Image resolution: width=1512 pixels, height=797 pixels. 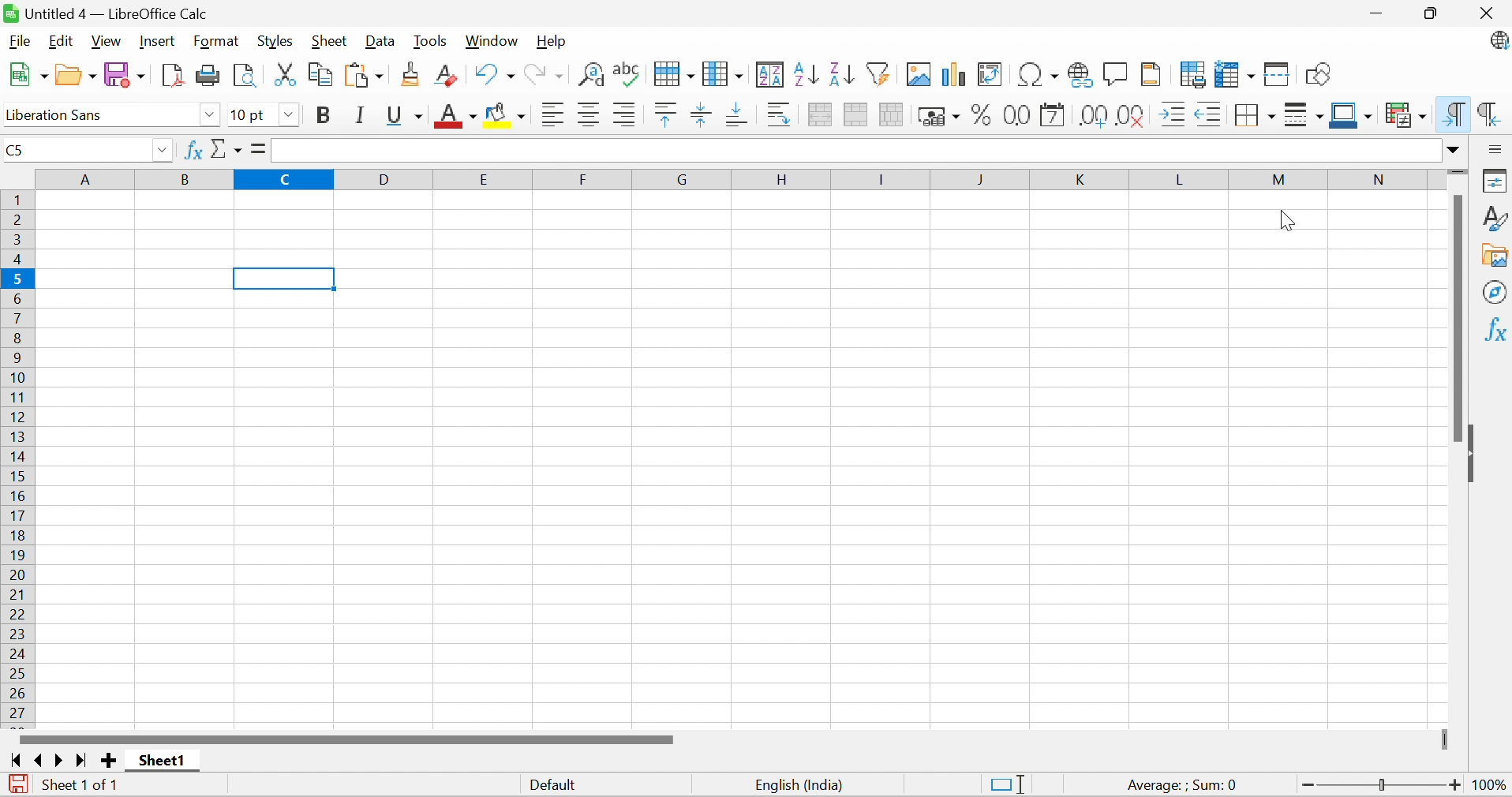 I want to click on Minimize, so click(x=1379, y=16).